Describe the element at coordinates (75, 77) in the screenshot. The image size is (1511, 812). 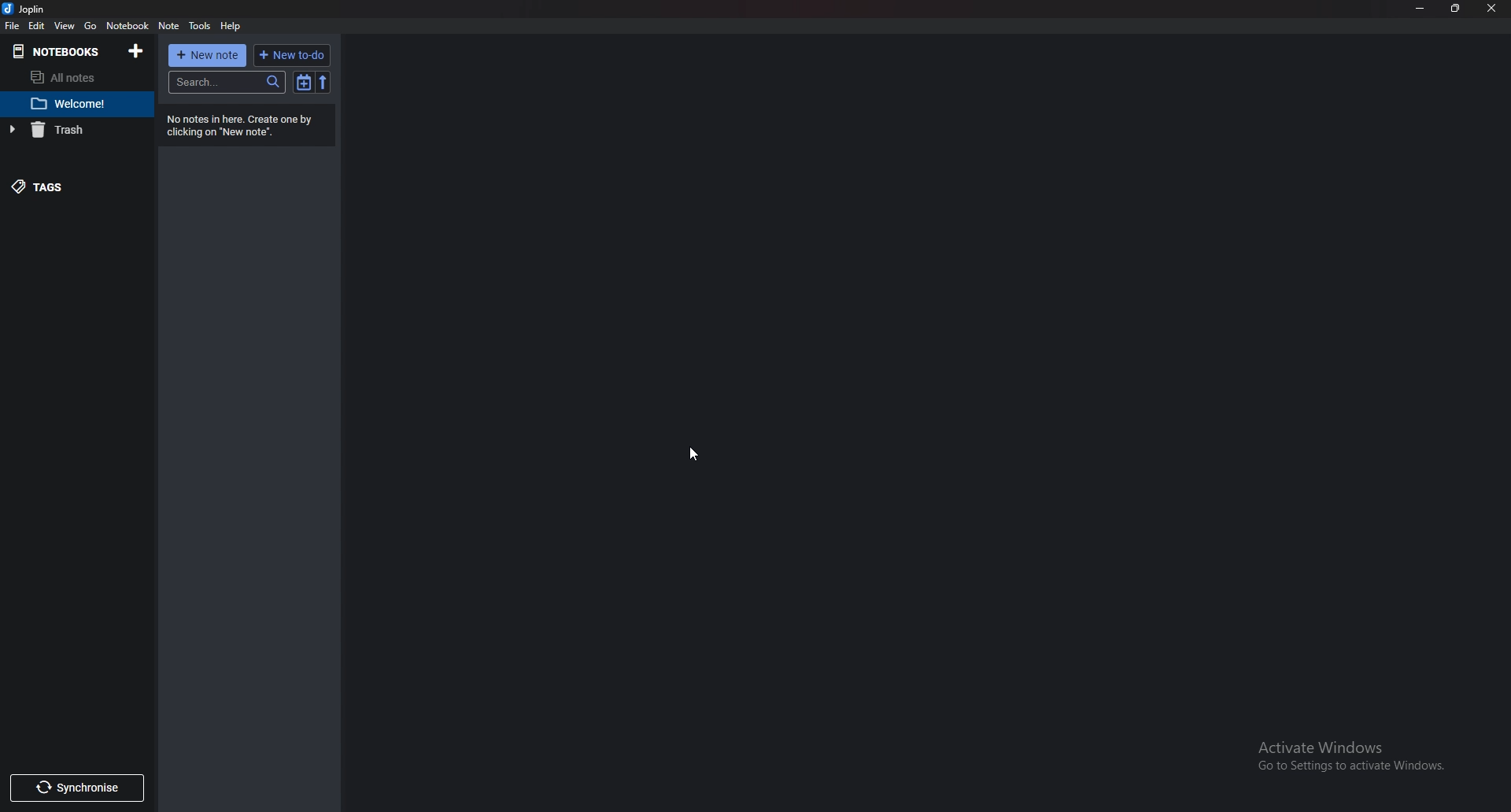
I see `All notes` at that location.